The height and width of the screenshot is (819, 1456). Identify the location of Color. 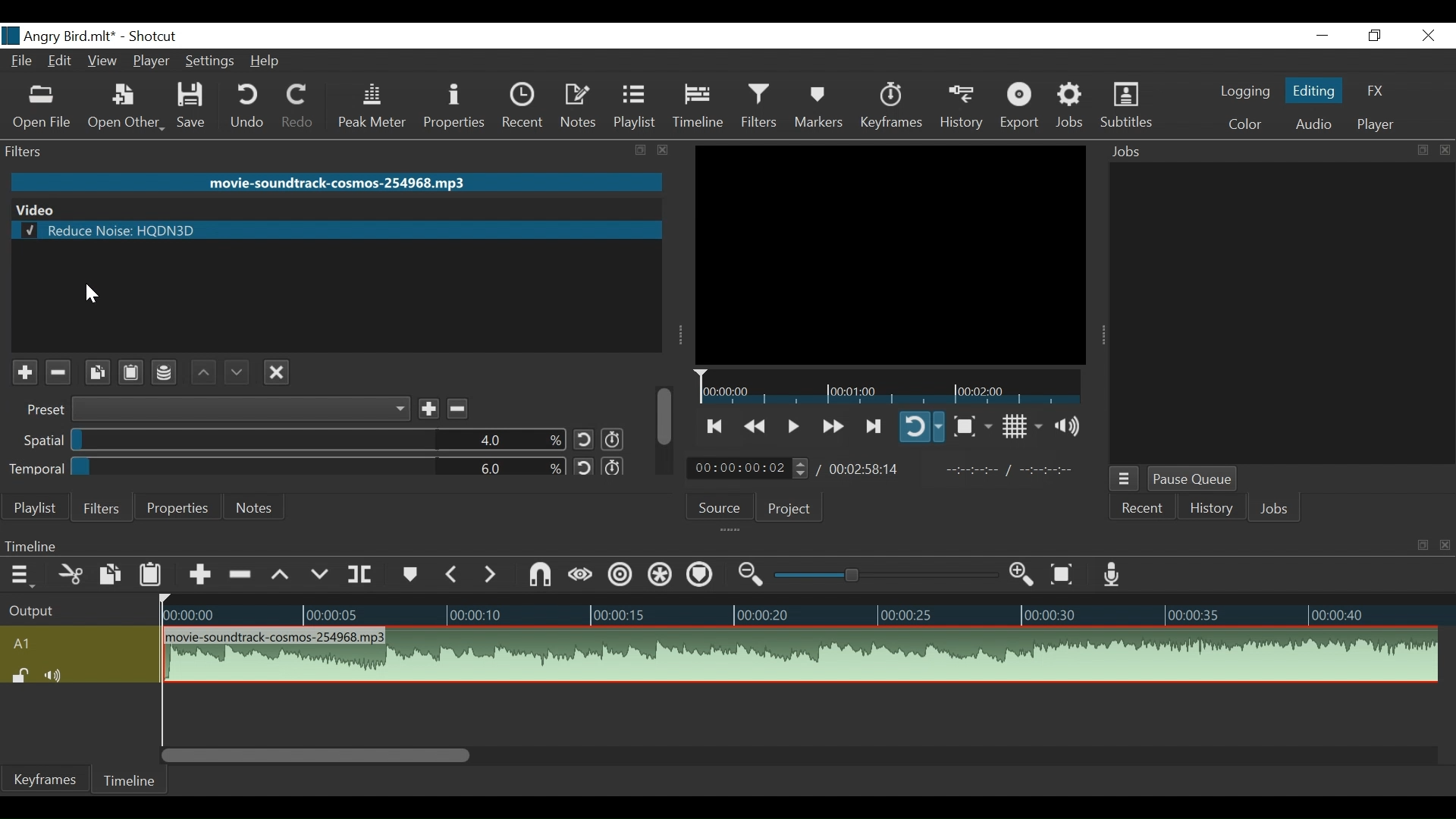
(1244, 125).